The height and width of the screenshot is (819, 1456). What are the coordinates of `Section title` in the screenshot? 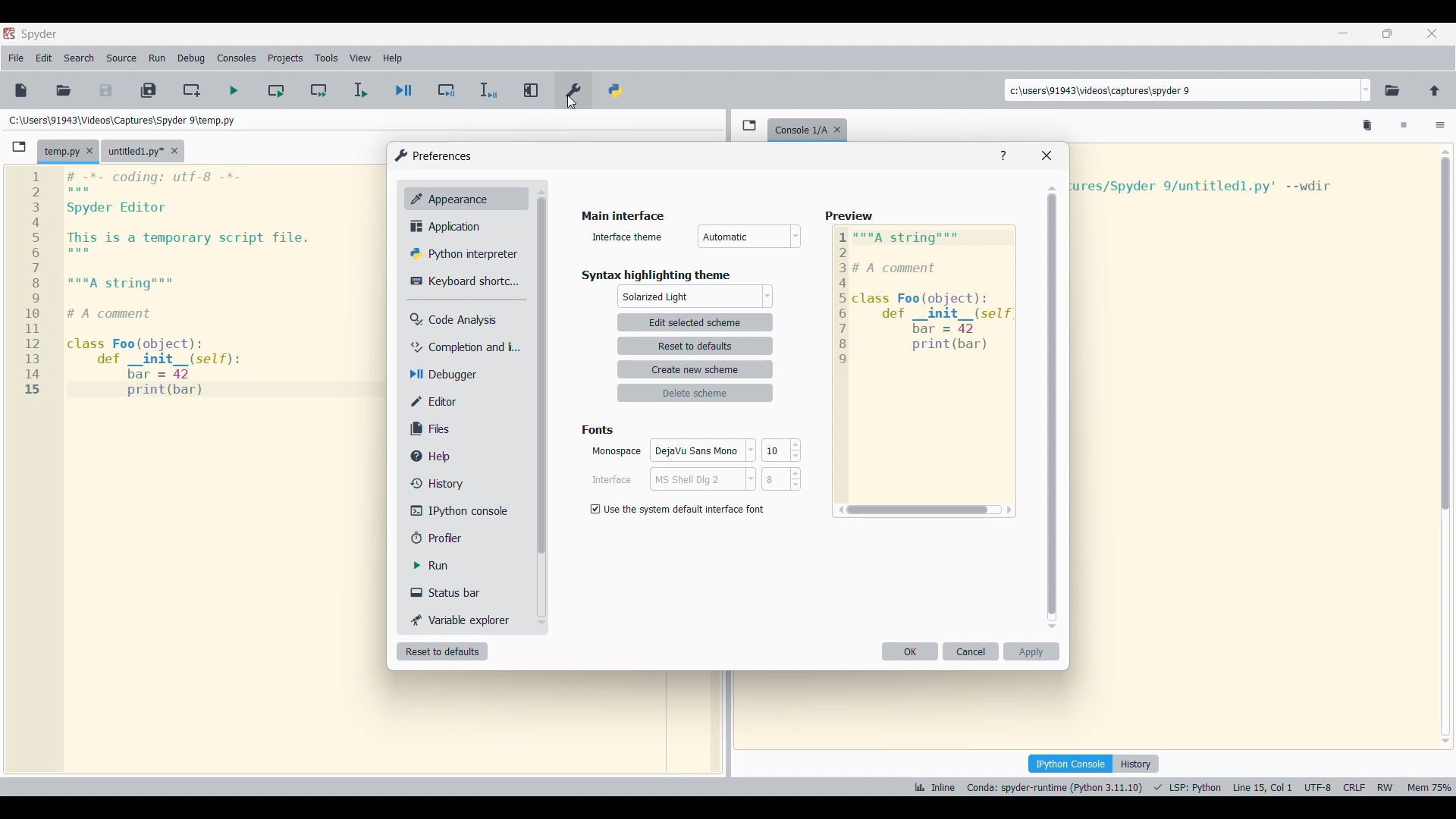 It's located at (598, 430).